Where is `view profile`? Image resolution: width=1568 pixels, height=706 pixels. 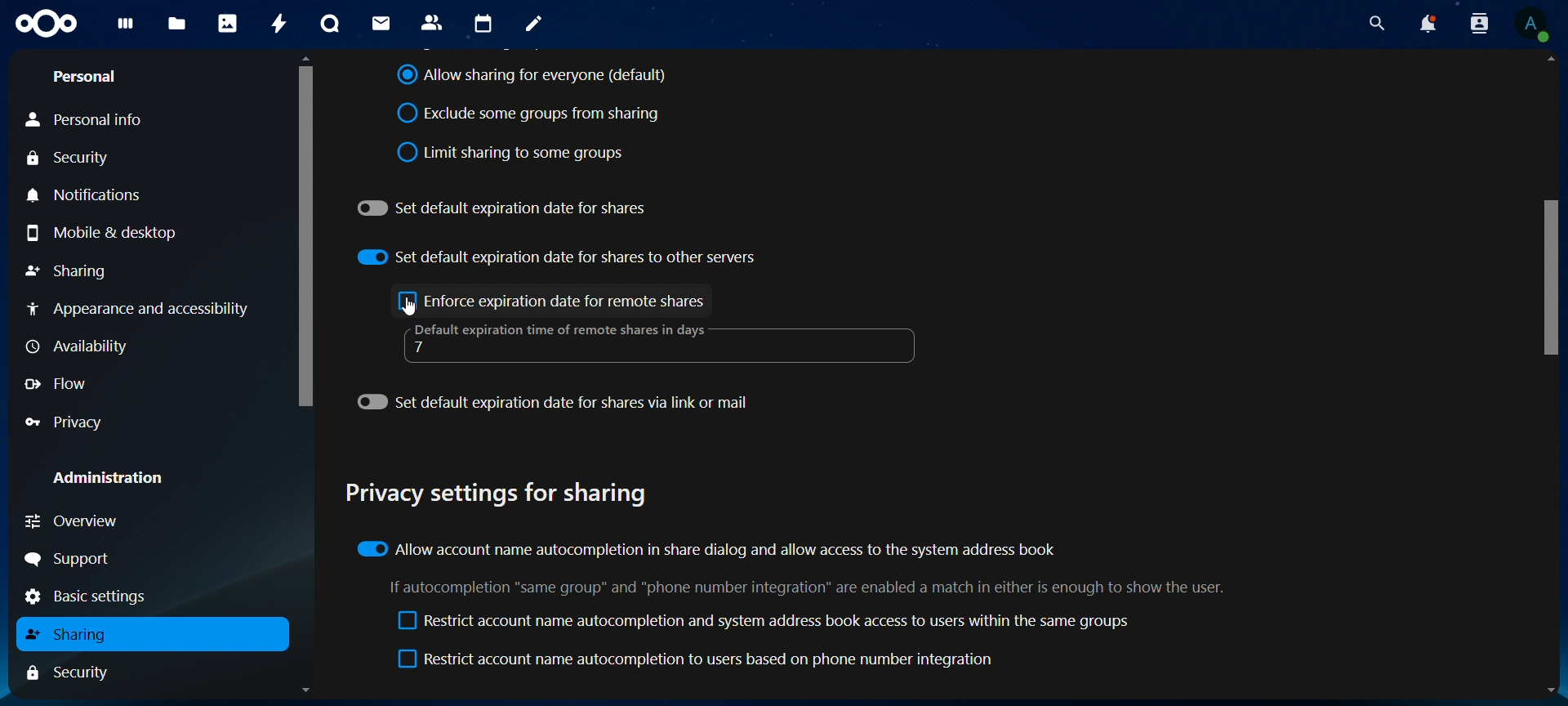 view profile is located at coordinates (1533, 27).